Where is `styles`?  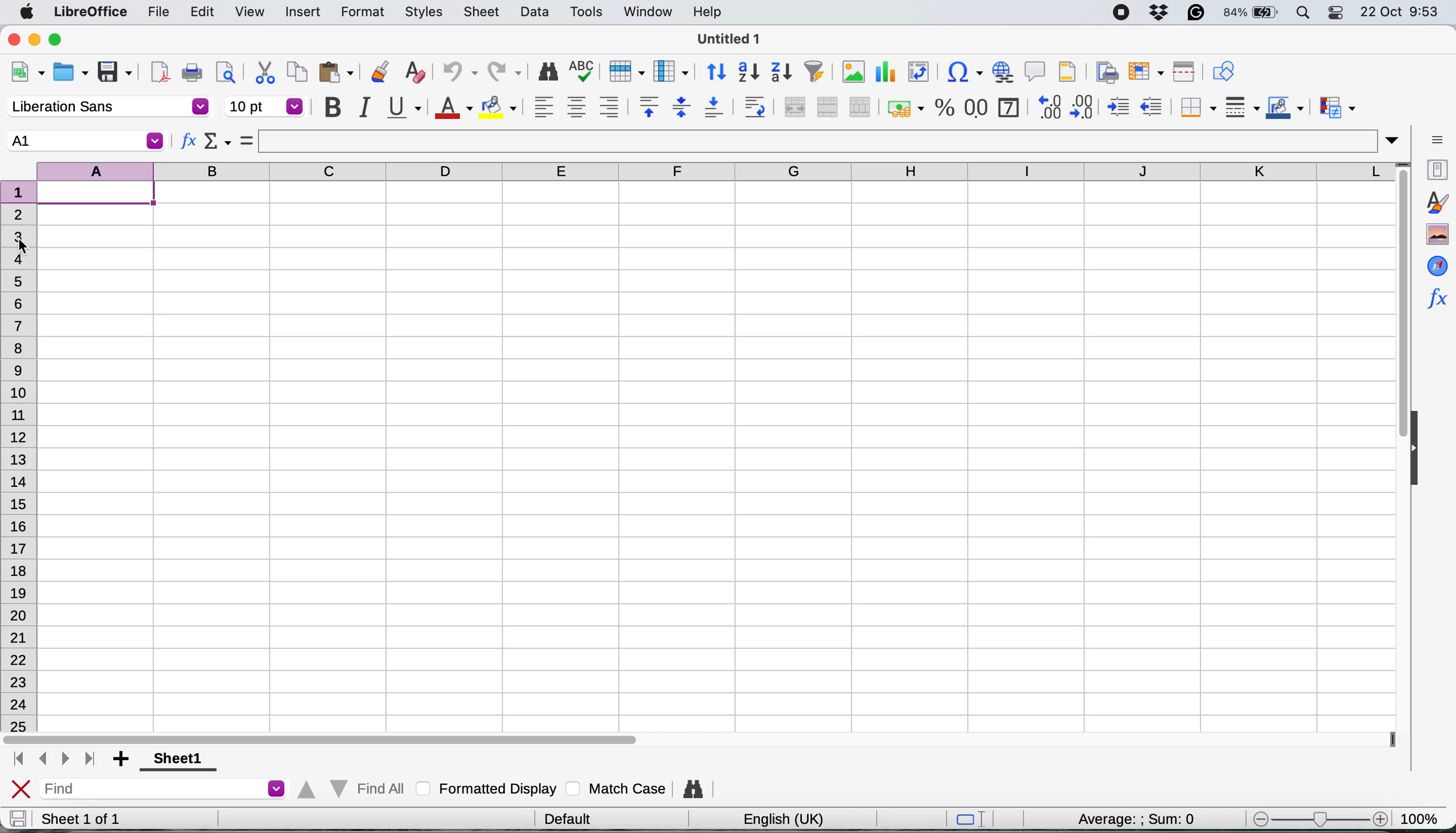
styles is located at coordinates (1436, 202).